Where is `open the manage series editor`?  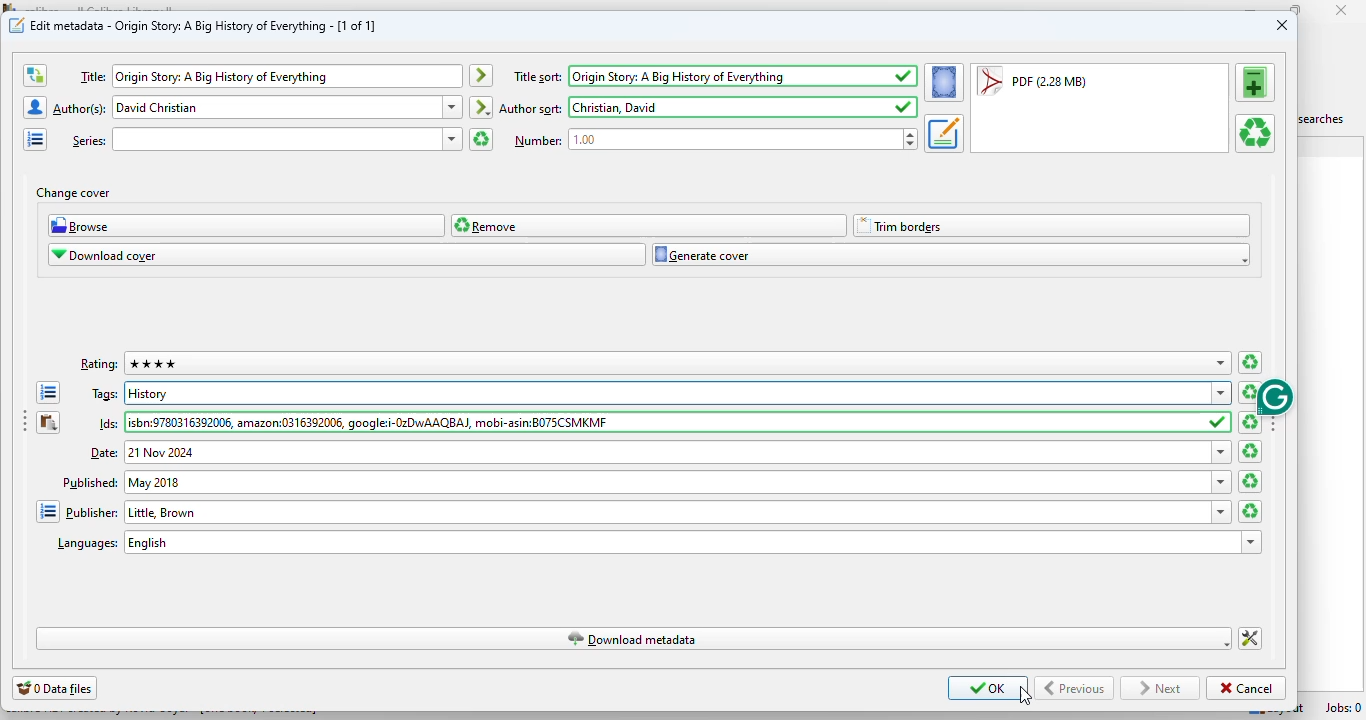
open the manage series editor is located at coordinates (36, 139).